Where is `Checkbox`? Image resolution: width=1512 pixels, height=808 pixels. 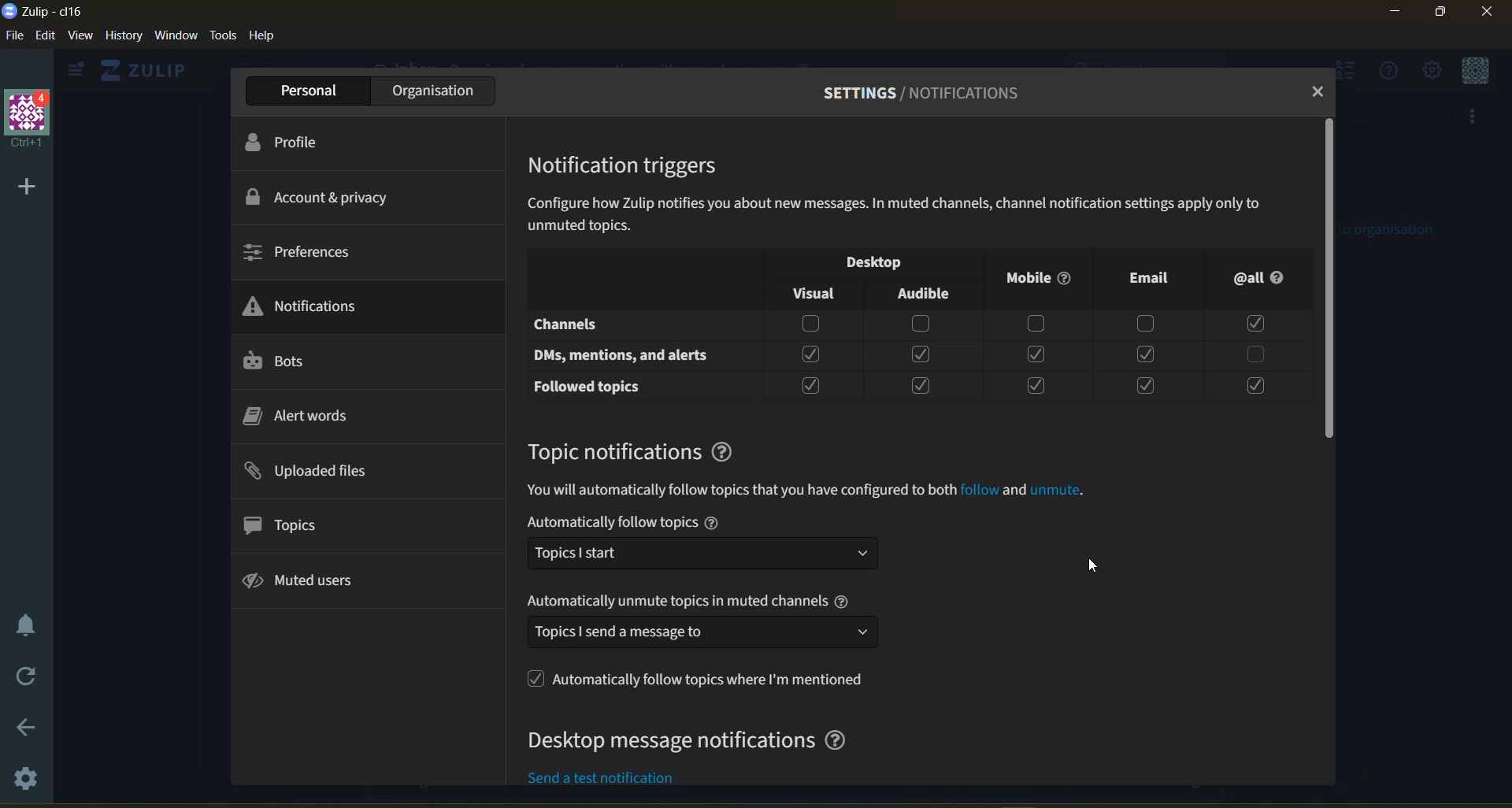 Checkbox is located at coordinates (923, 354).